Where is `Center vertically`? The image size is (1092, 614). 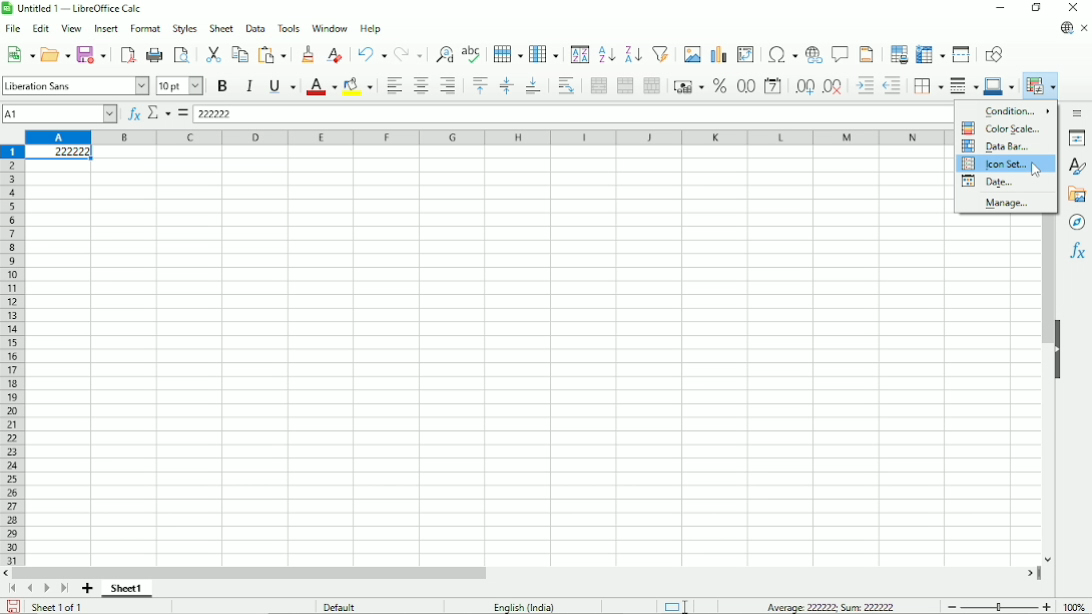
Center vertically is located at coordinates (505, 86).